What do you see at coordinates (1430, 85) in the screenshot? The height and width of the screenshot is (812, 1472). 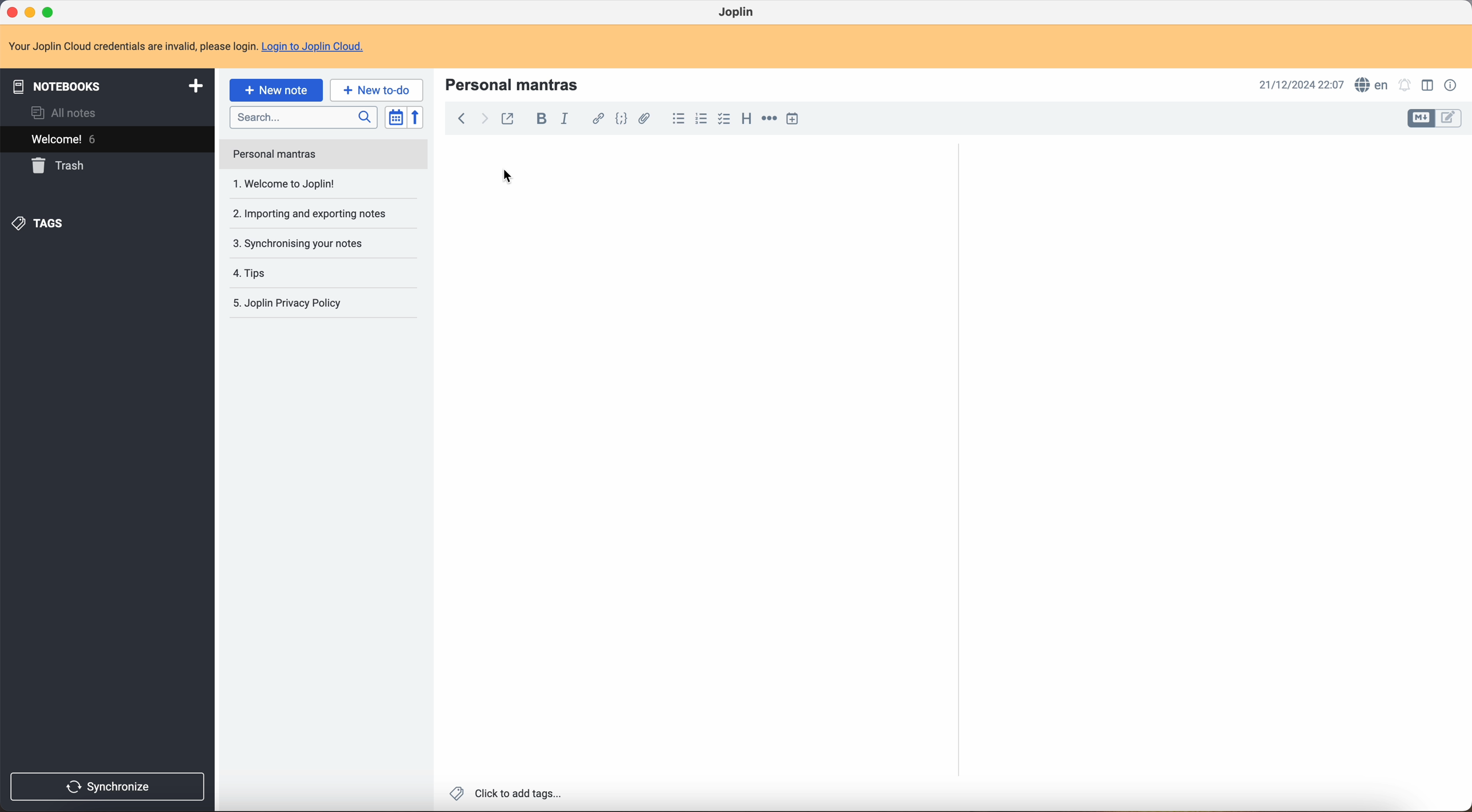 I see `toggle edit layout` at bounding box center [1430, 85].